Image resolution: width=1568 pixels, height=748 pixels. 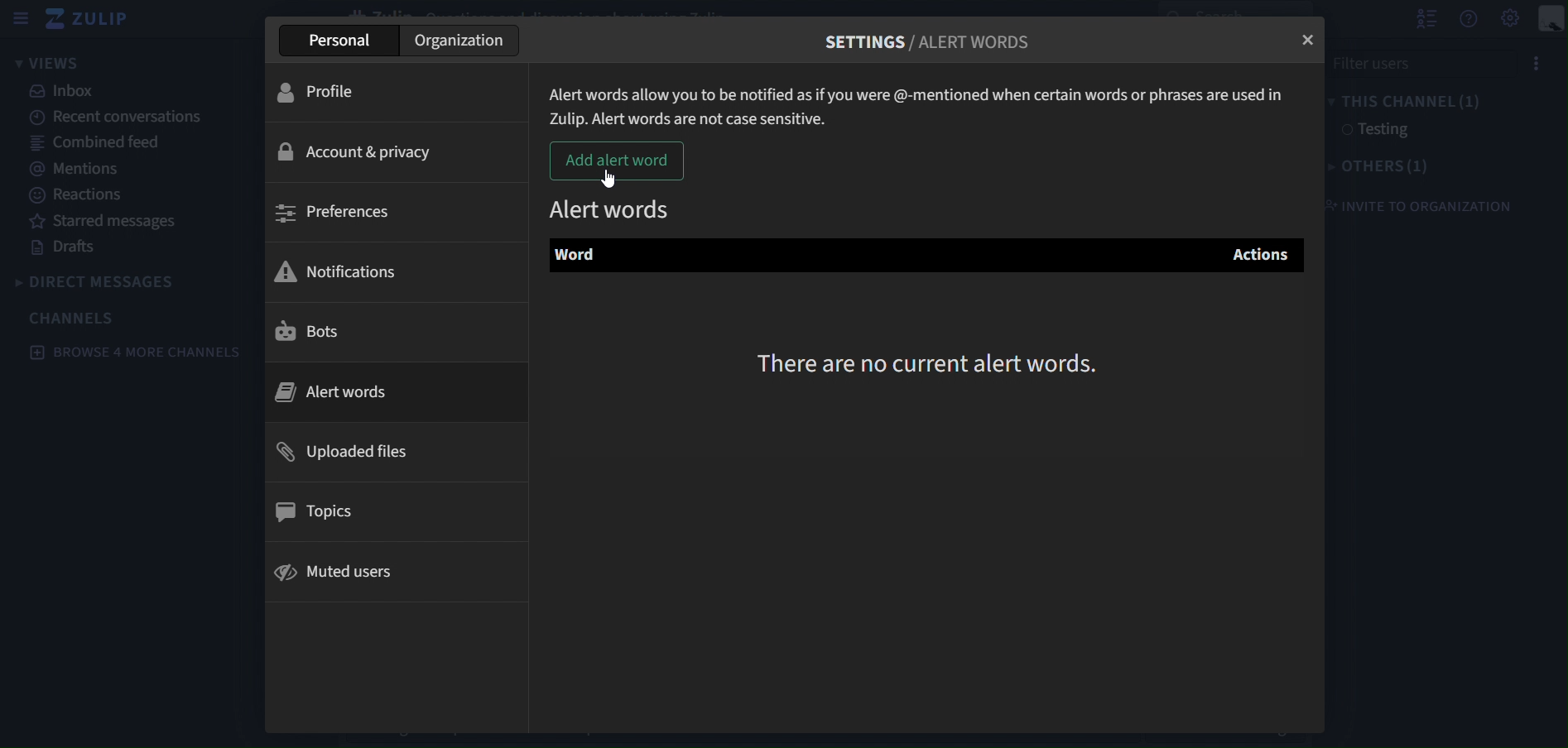 What do you see at coordinates (339, 575) in the screenshot?
I see `muted users` at bounding box center [339, 575].